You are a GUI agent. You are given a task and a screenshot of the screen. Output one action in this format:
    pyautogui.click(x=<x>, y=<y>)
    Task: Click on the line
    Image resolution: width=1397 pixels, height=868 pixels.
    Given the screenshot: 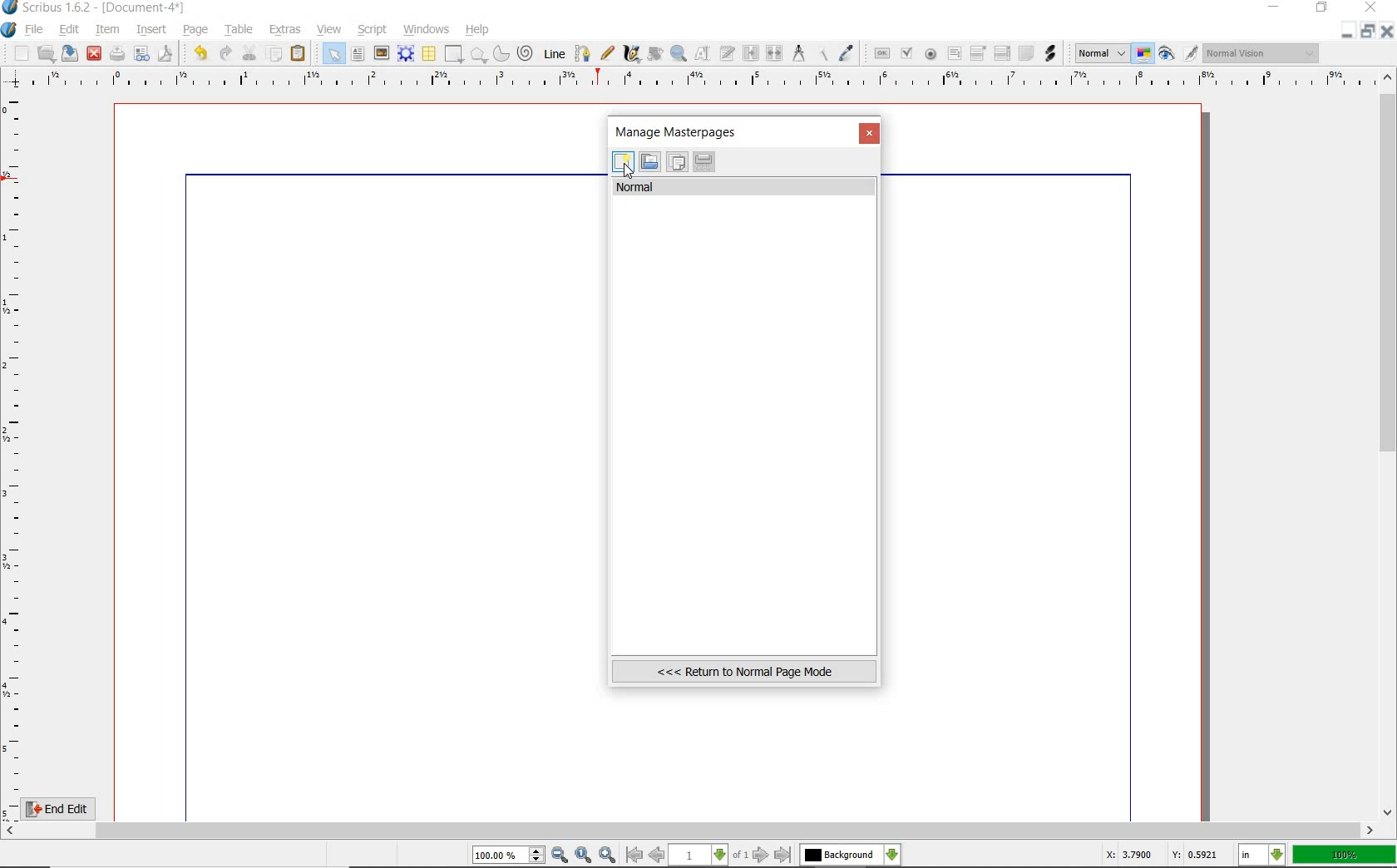 What is the action you would take?
    pyautogui.click(x=553, y=53)
    